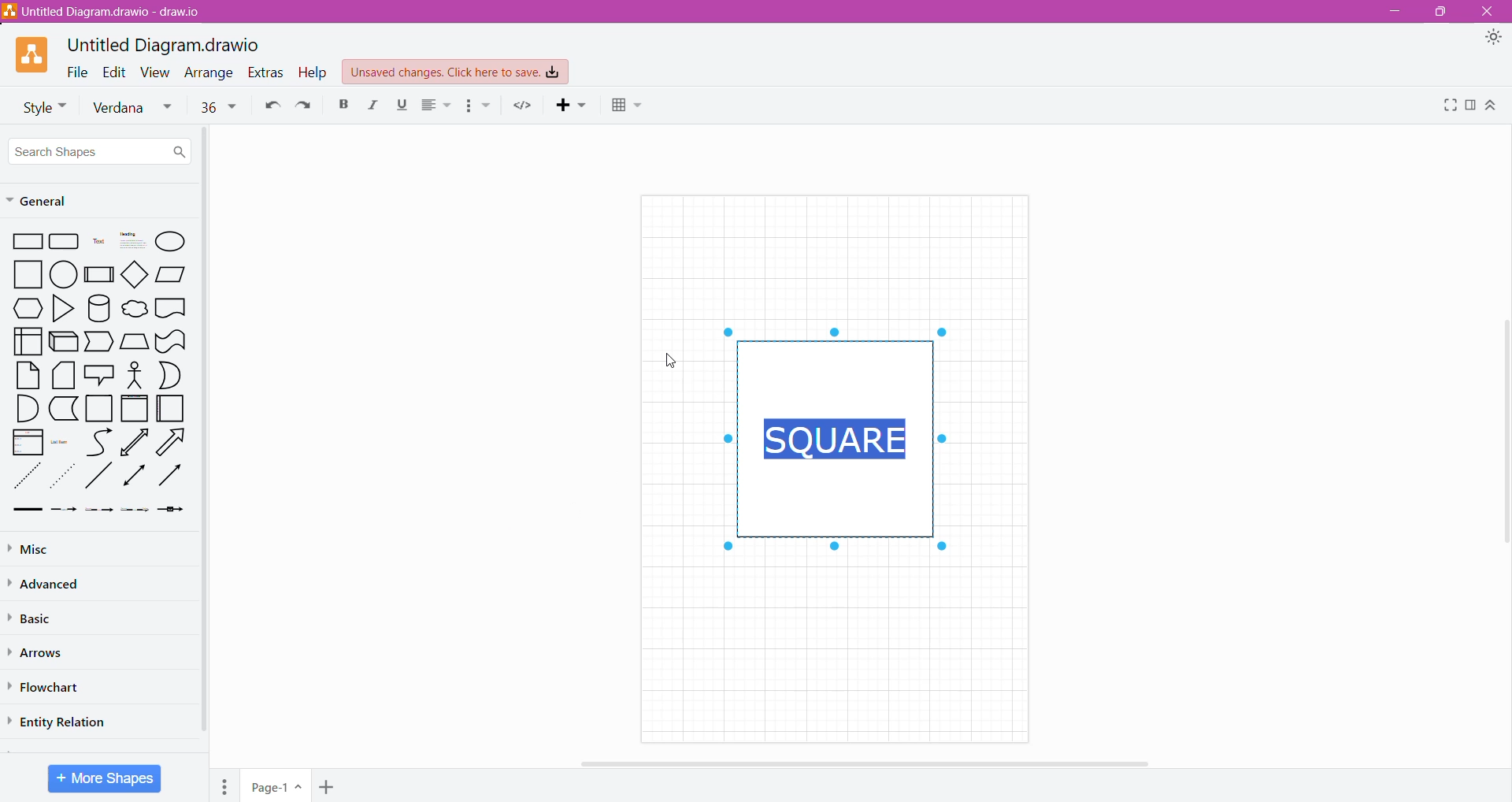 The width and height of the screenshot is (1512, 802). I want to click on Dashed Arrow, so click(63, 513).